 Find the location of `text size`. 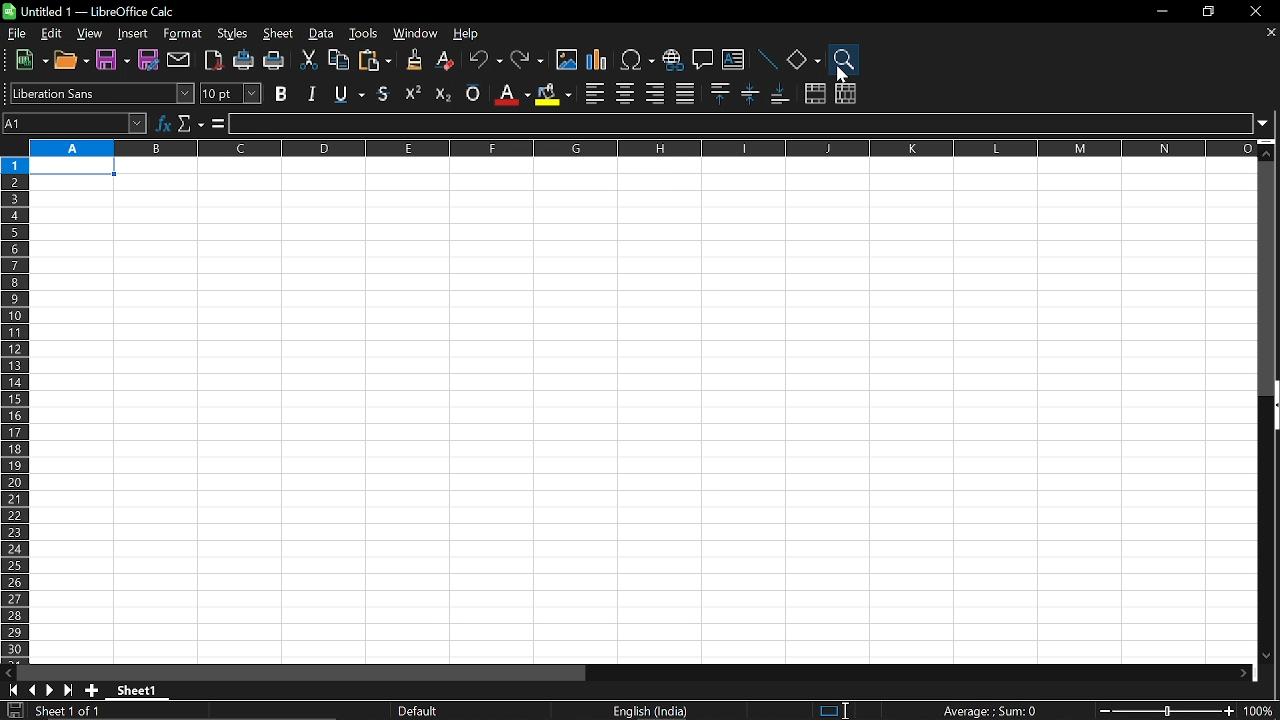

text size is located at coordinates (230, 94).